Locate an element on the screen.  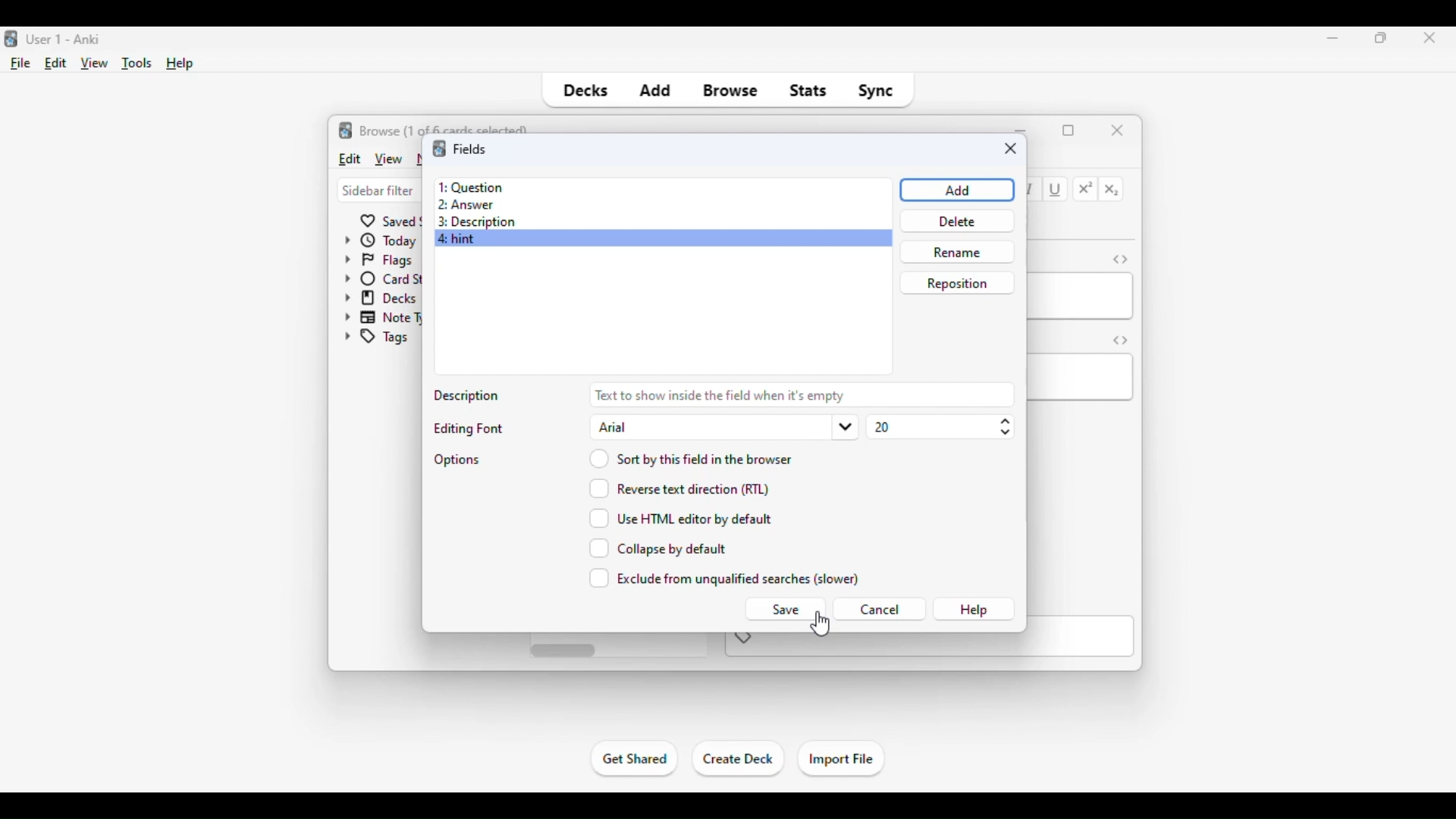
import file is located at coordinates (840, 760).